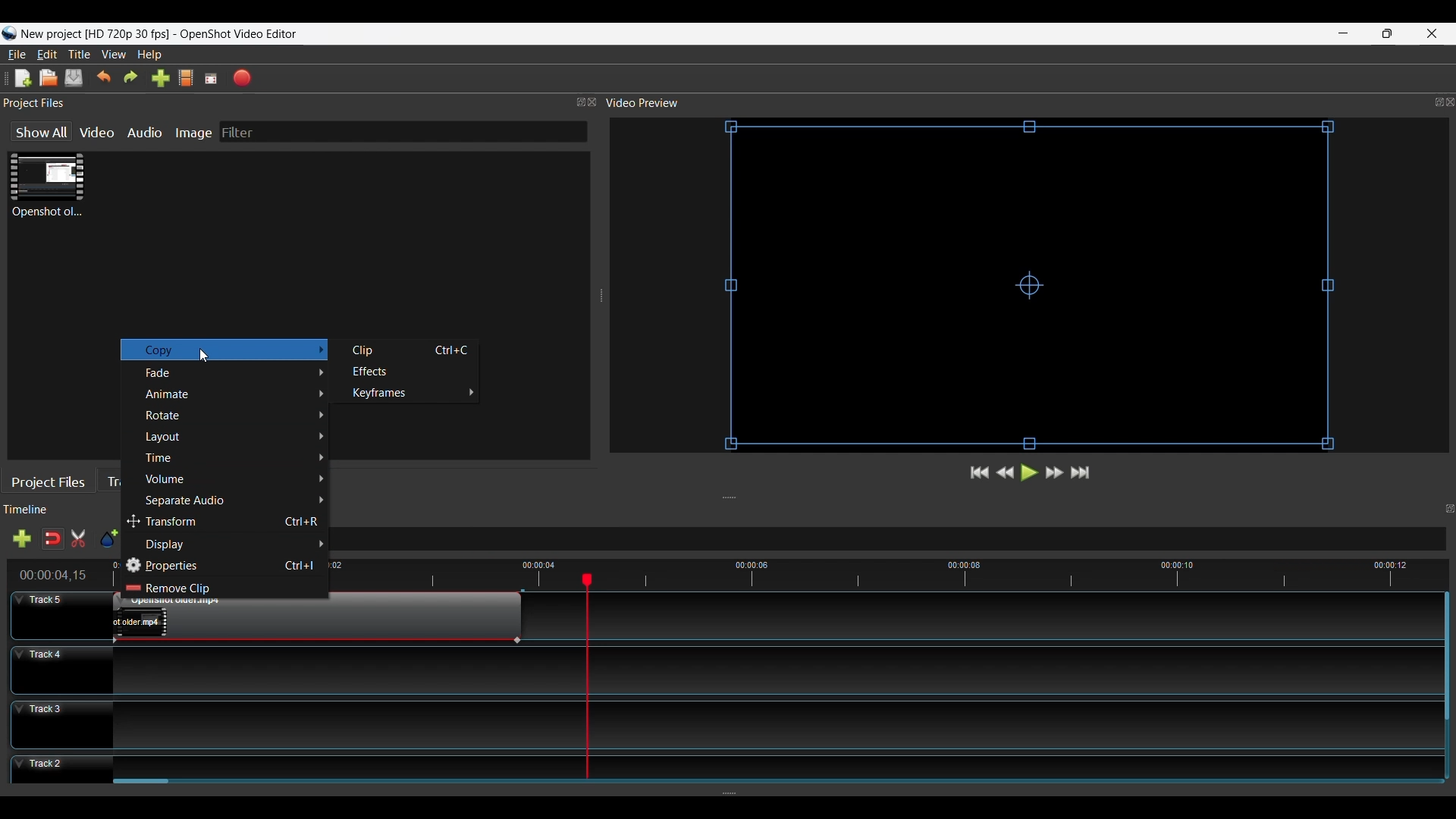  Describe the element at coordinates (1430, 33) in the screenshot. I see `Close` at that location.